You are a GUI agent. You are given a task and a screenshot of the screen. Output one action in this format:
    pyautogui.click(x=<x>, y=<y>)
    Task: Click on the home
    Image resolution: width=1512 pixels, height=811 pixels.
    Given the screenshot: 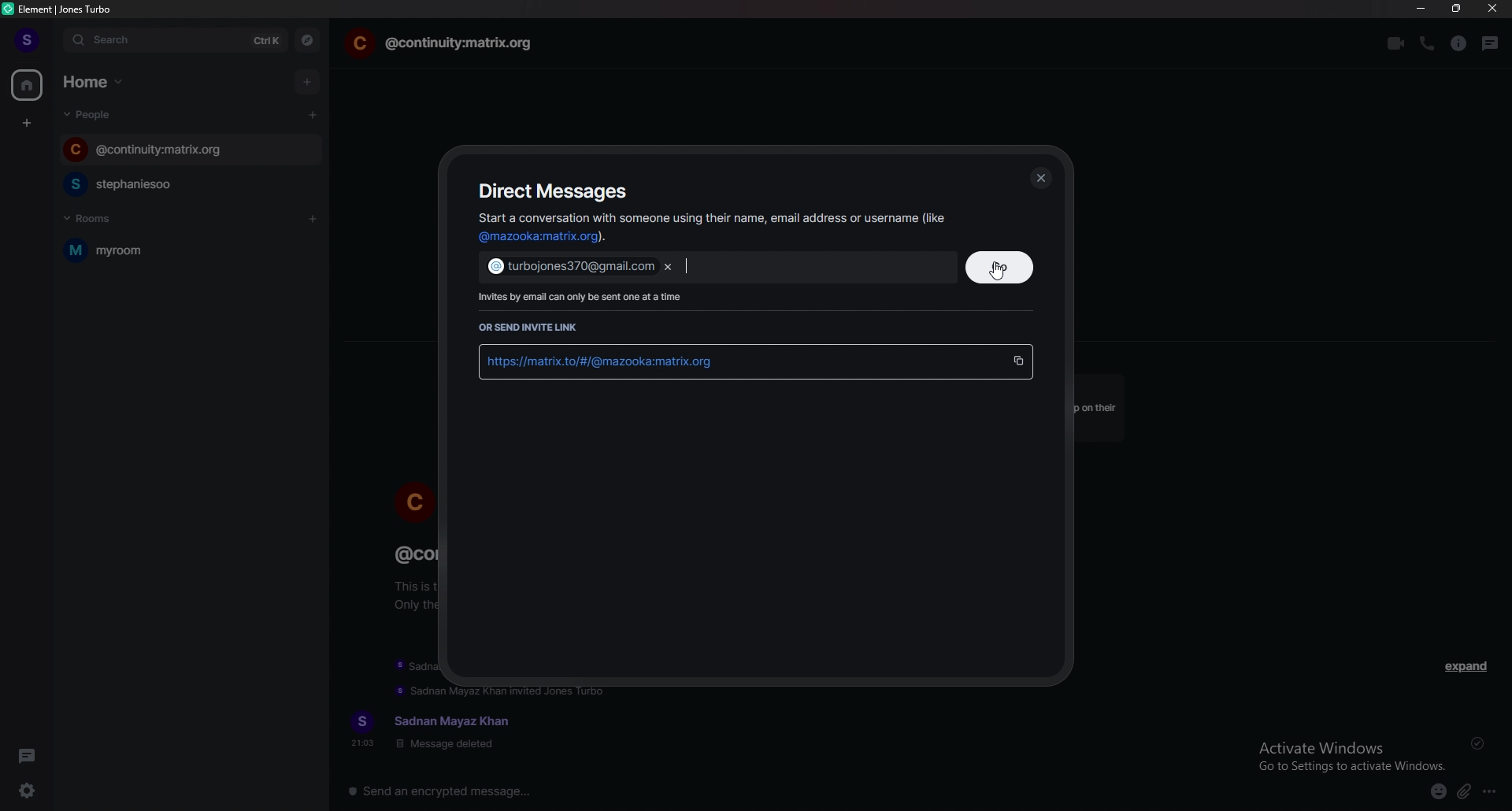 What is the action you would take?
    pyautogui.click(x=28, y=84)
    